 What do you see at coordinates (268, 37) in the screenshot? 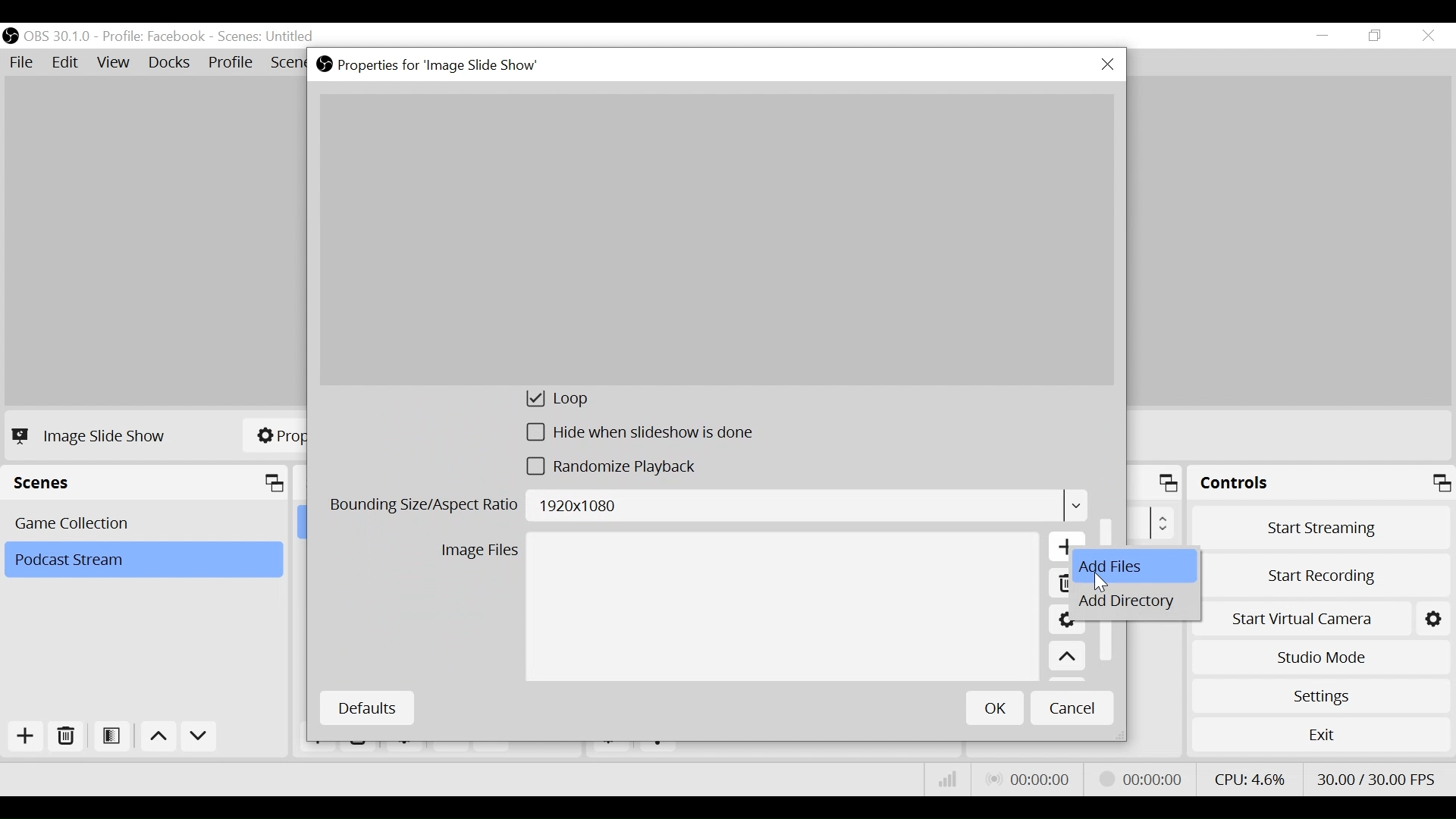
I see `Scene` at bounding box center [268, 37].